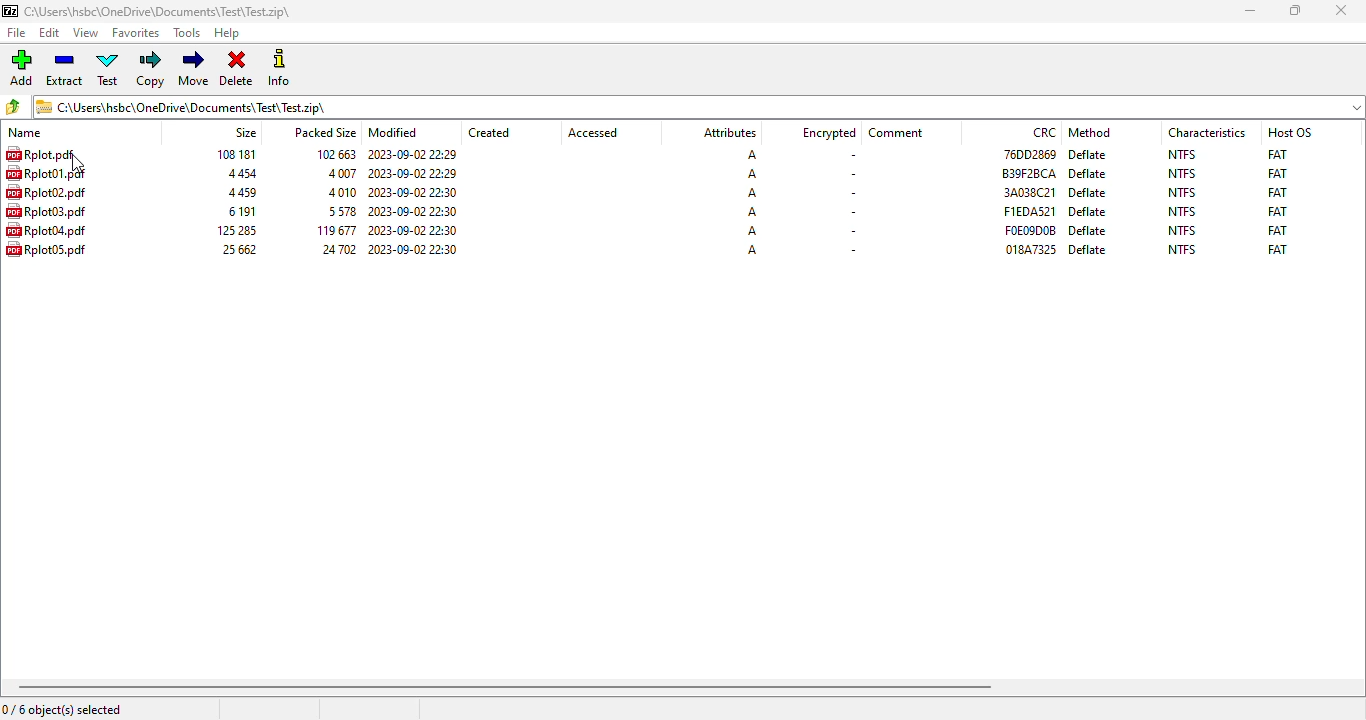 The height and width of the screenshot is (720, 1366). Describe the element at coordinates (850, 213) in the screenshot. I see `-` at that location.